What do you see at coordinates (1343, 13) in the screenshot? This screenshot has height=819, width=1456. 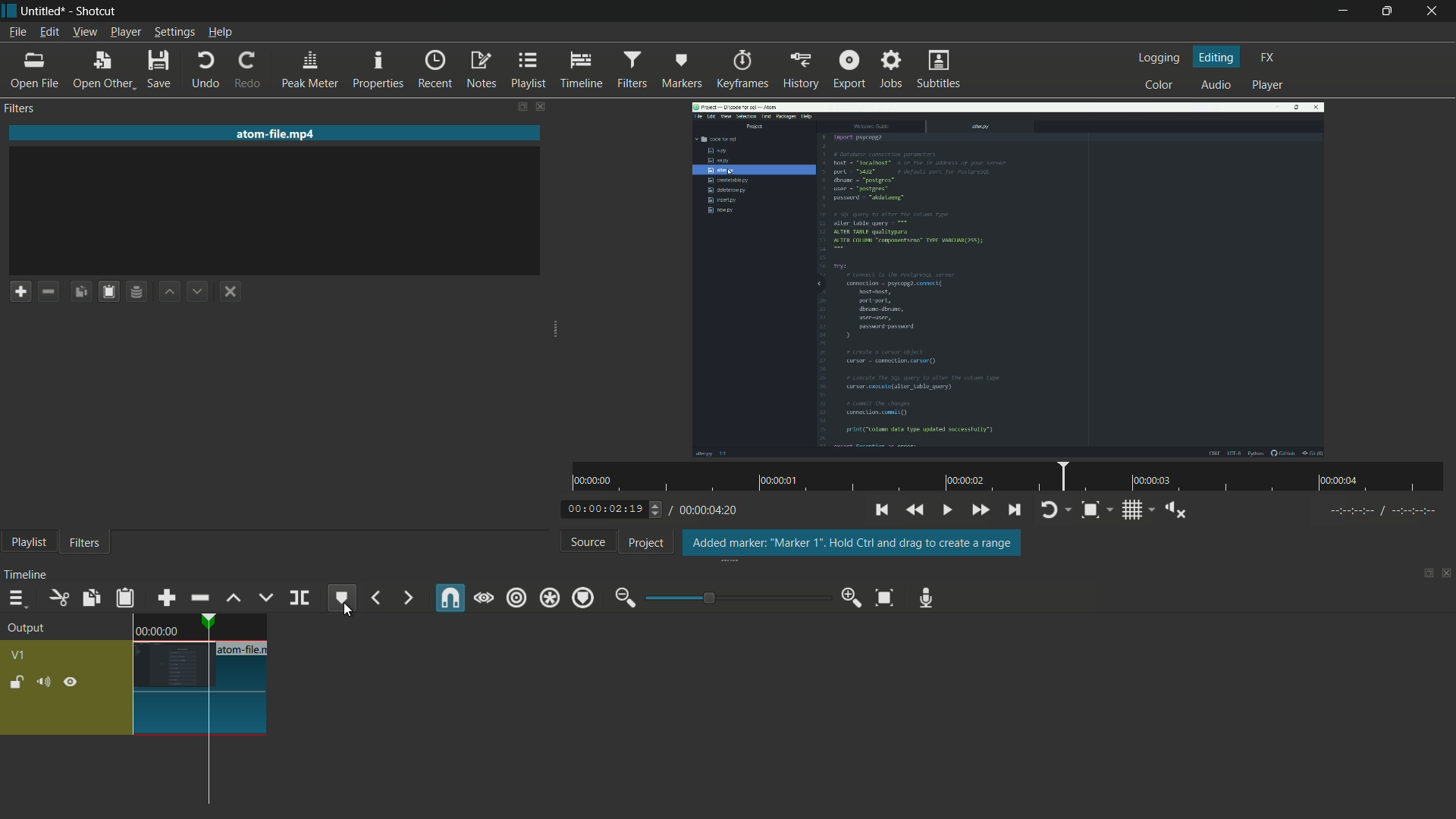 I see `minimize` at bounding box center [1343, 13].